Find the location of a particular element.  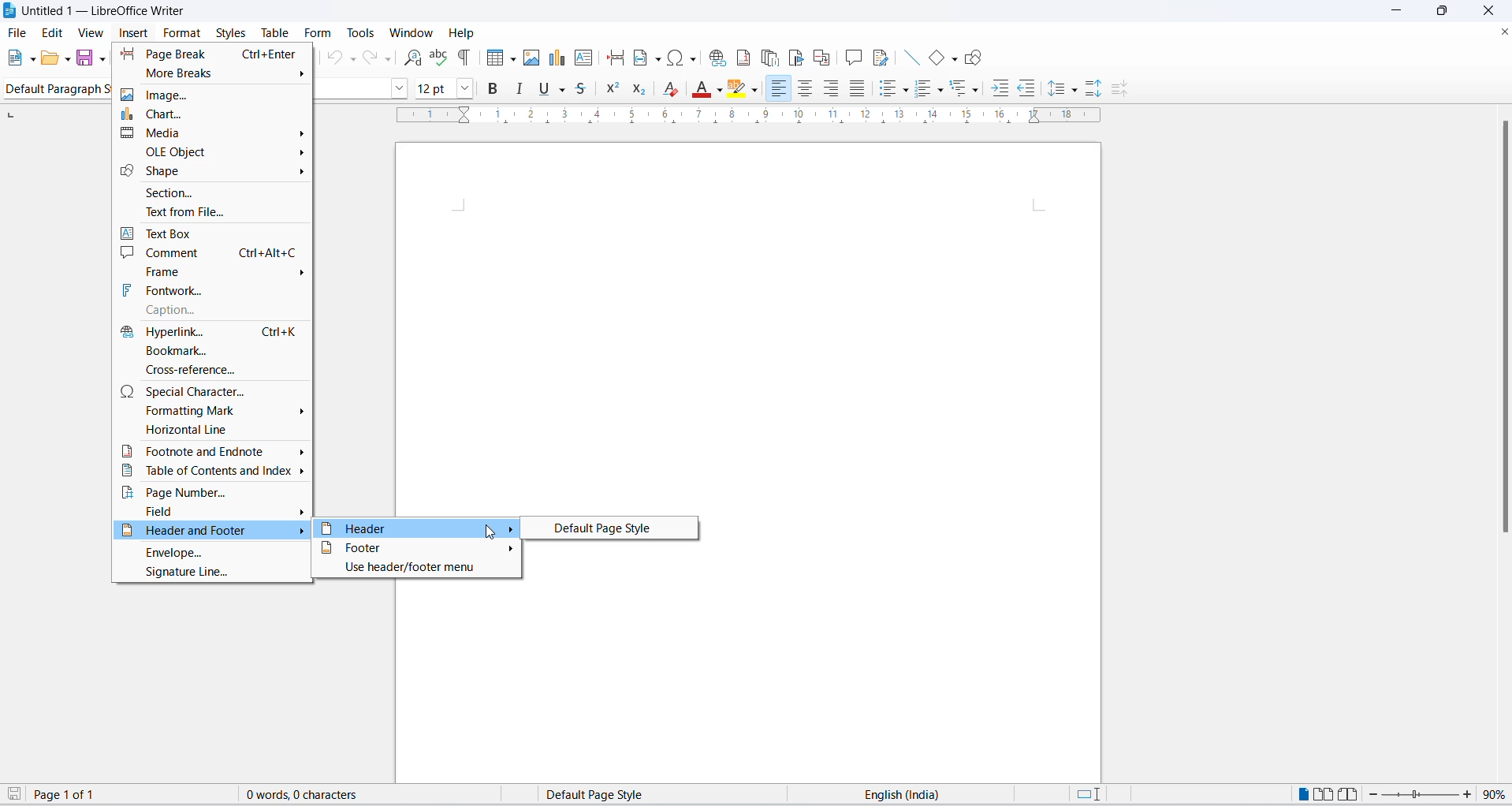

text align center is located at coordinates (809, 90).